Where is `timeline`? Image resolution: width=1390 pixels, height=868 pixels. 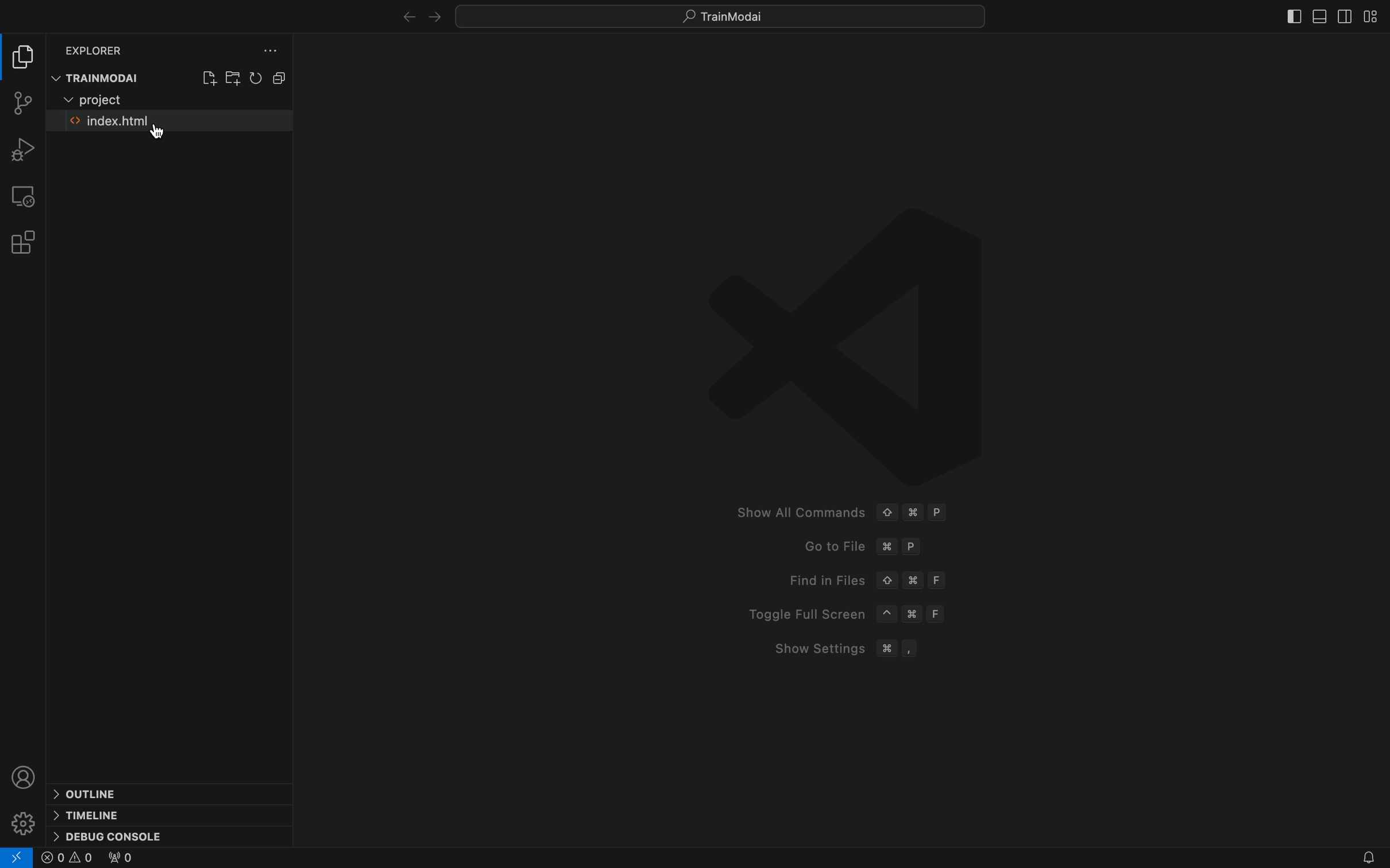
timeline is located at coordinates (96, 815).